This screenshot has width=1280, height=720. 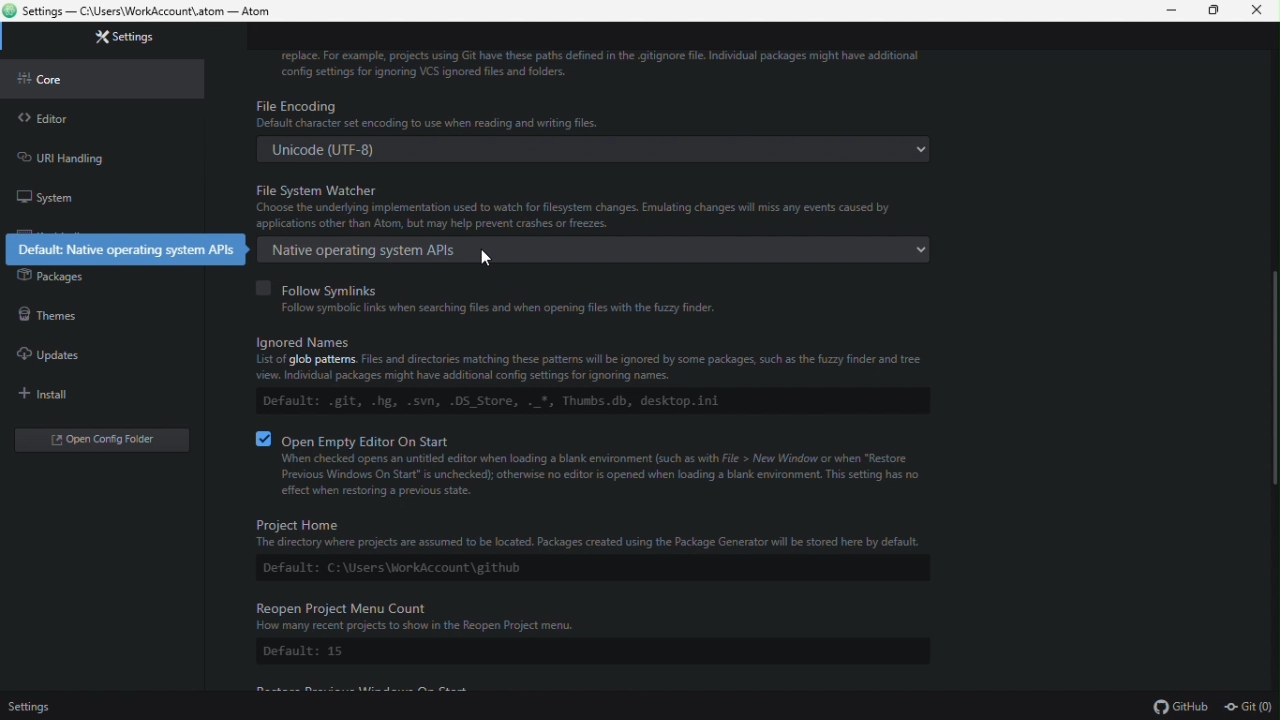 What do you see at coordinates (51, 313) in the screenshot?
I see `Themes` at bounding box center [51, 313].